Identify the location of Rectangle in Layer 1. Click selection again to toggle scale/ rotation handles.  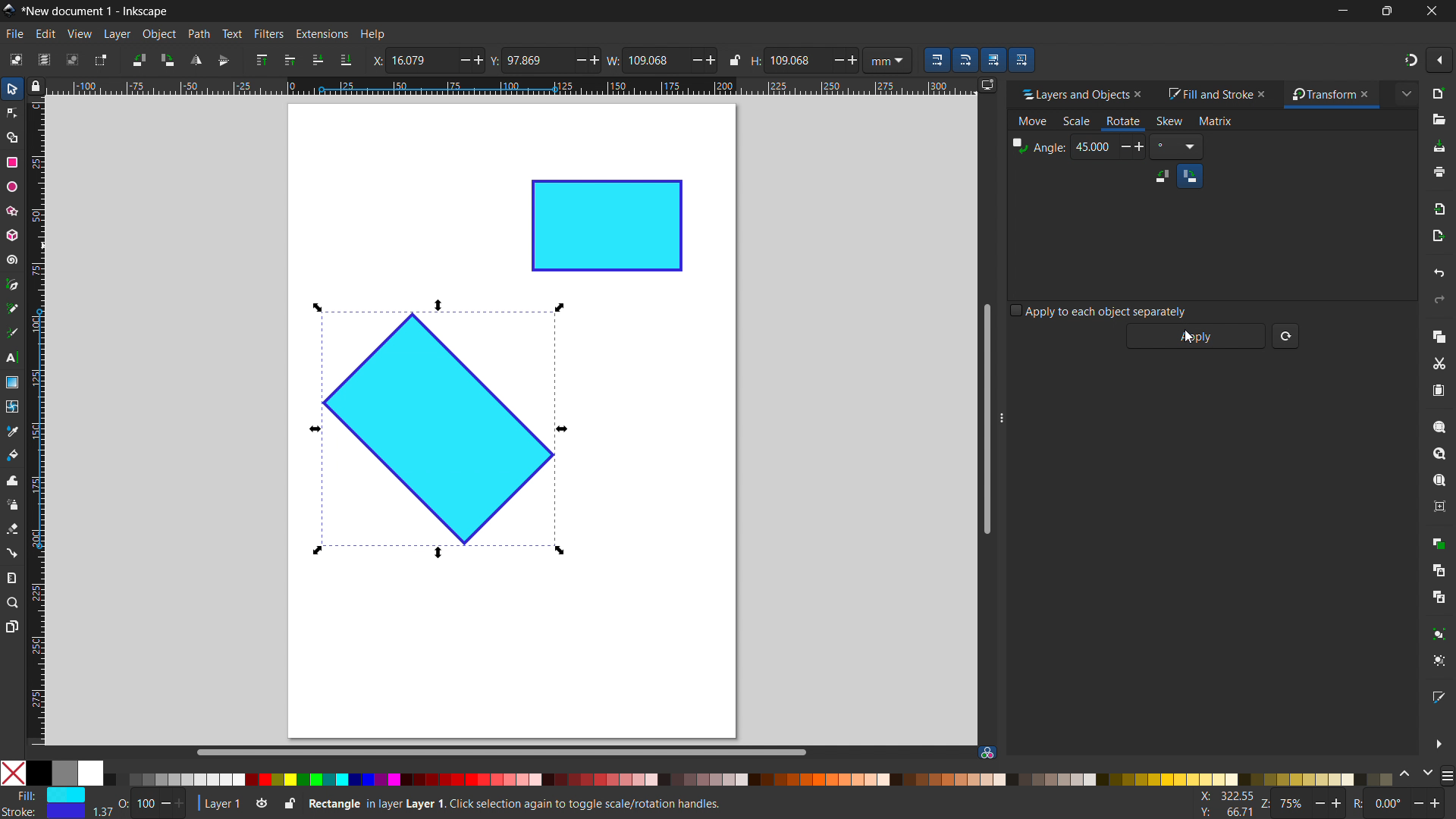
(518, 802).